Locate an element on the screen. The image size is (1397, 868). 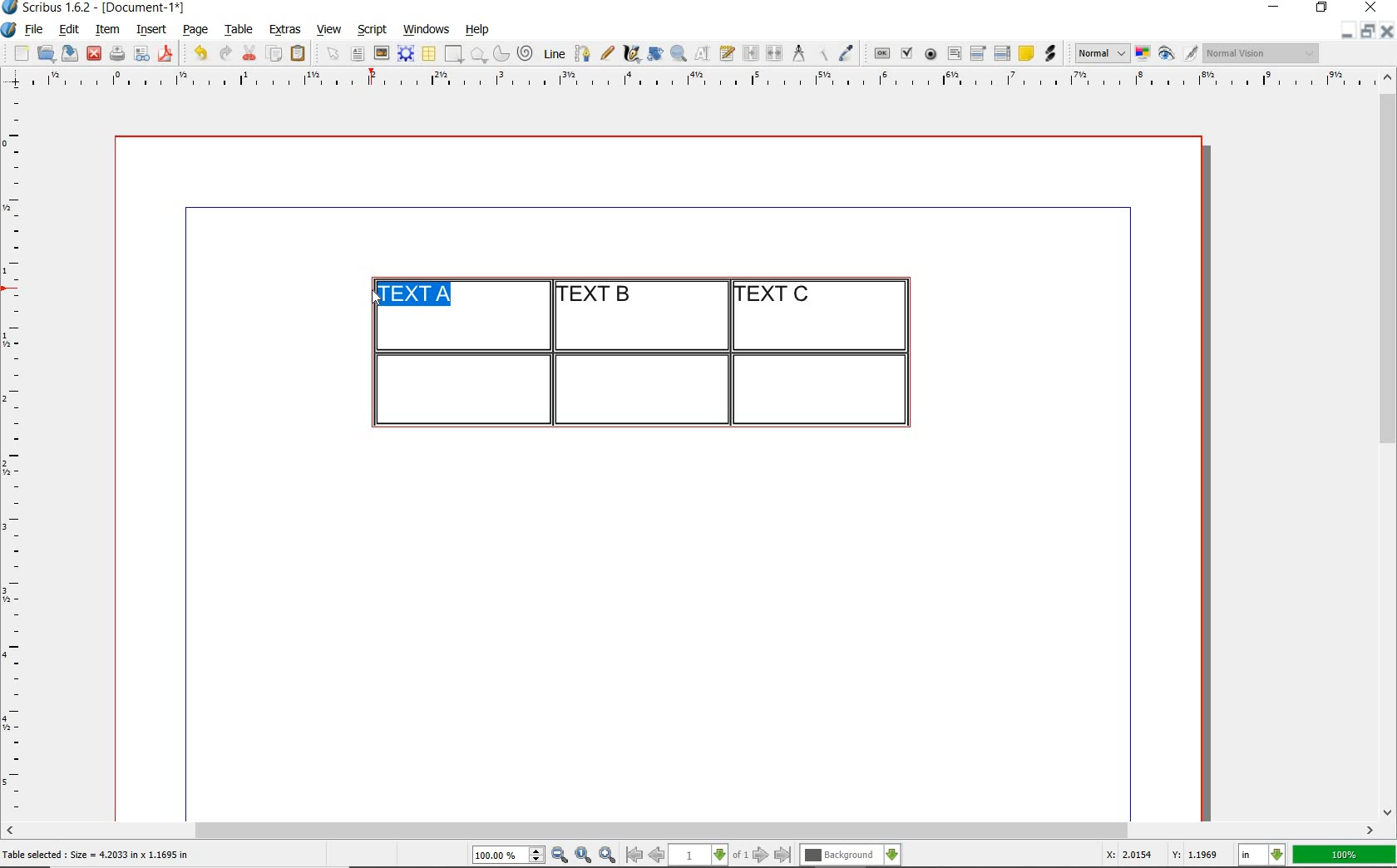
link annotation is located at coordinates (1052, 53).